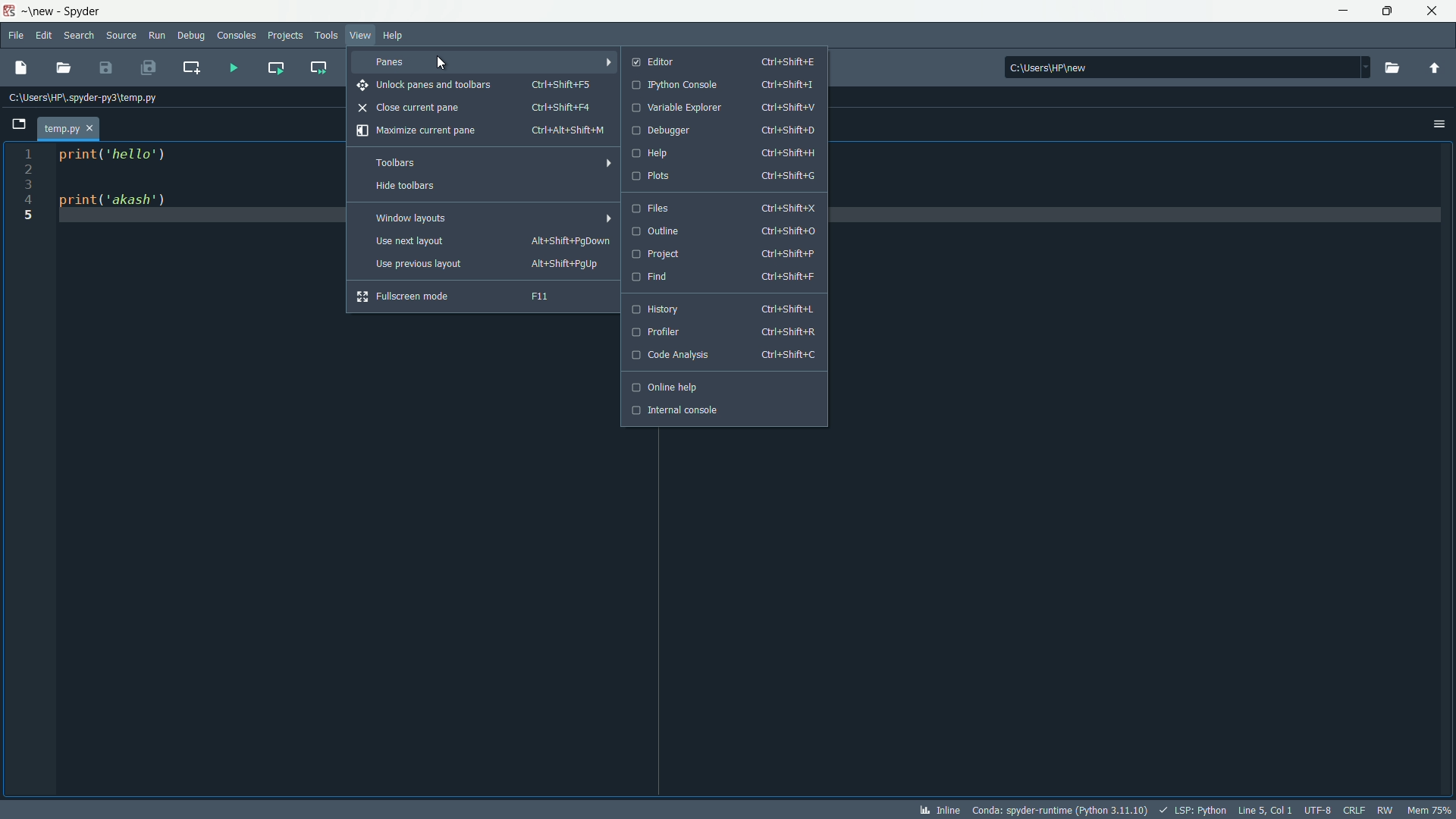  I want to click on ~\new, so click(42, 13).